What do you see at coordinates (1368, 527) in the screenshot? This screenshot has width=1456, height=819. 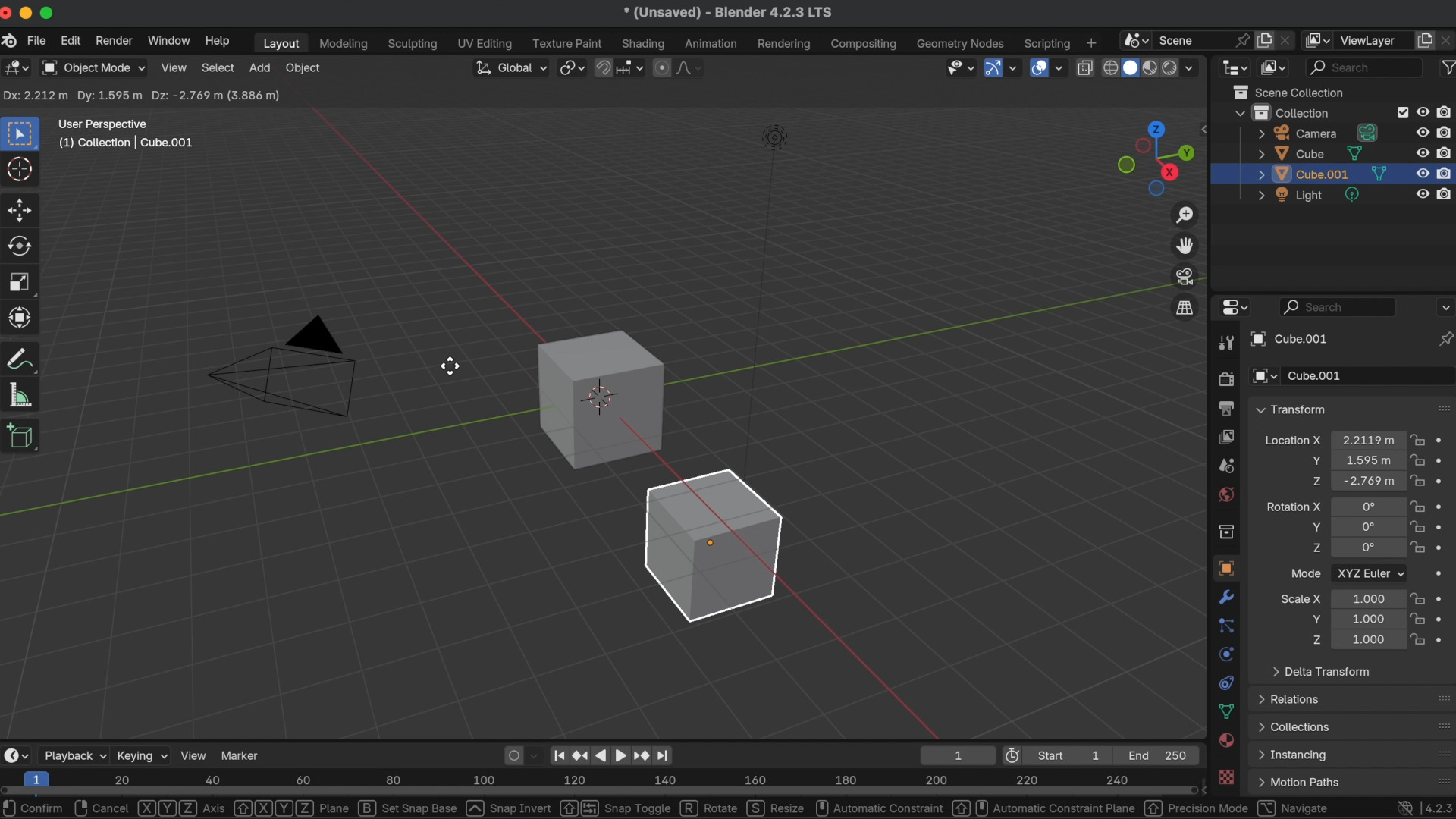 I see `euler rotation` at bounding box center [1368, 527].